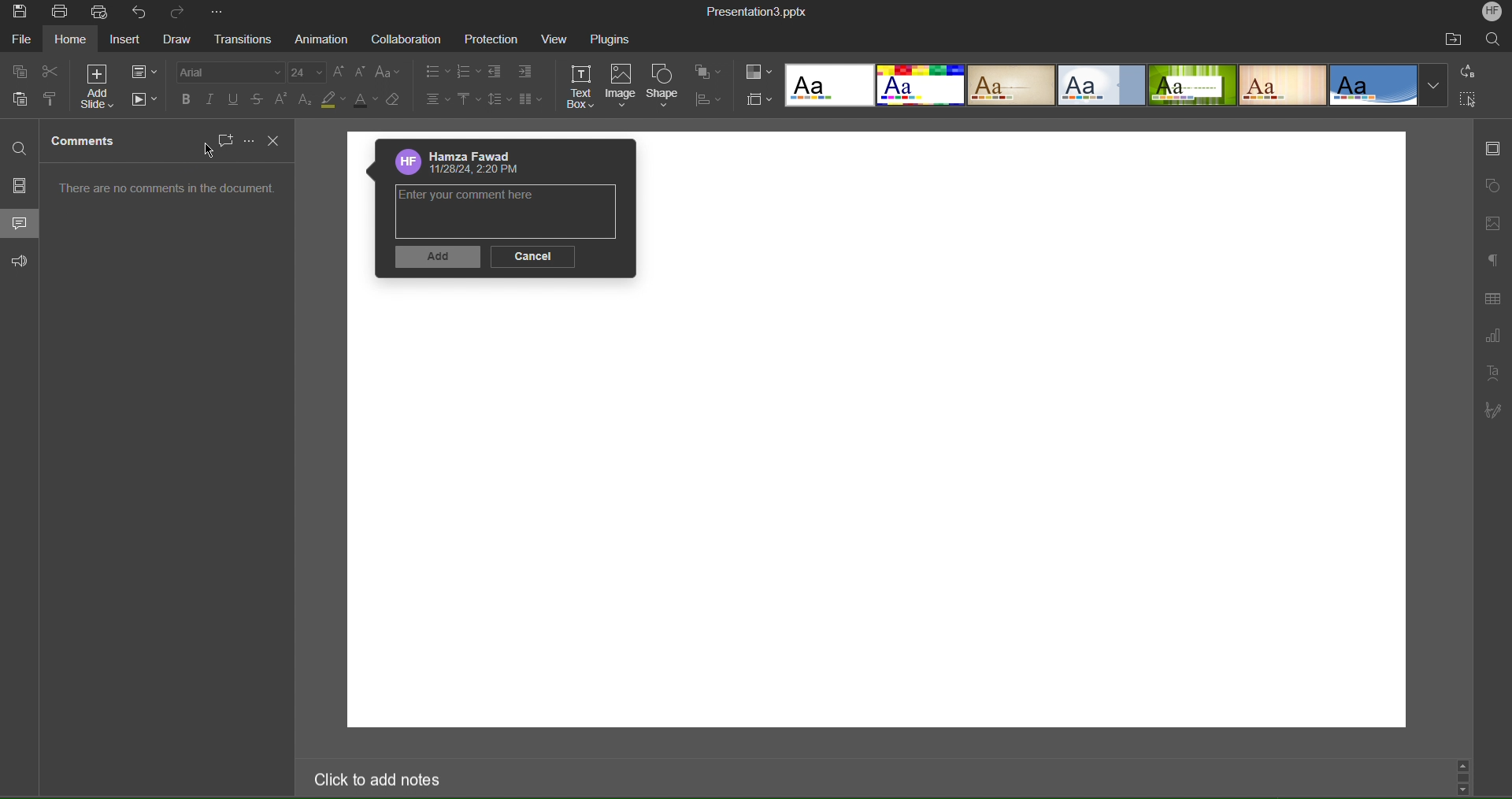  What do you see at coordinates (480, 155) in the screenshot?
I see `Account` at bounding box center [480, 155].